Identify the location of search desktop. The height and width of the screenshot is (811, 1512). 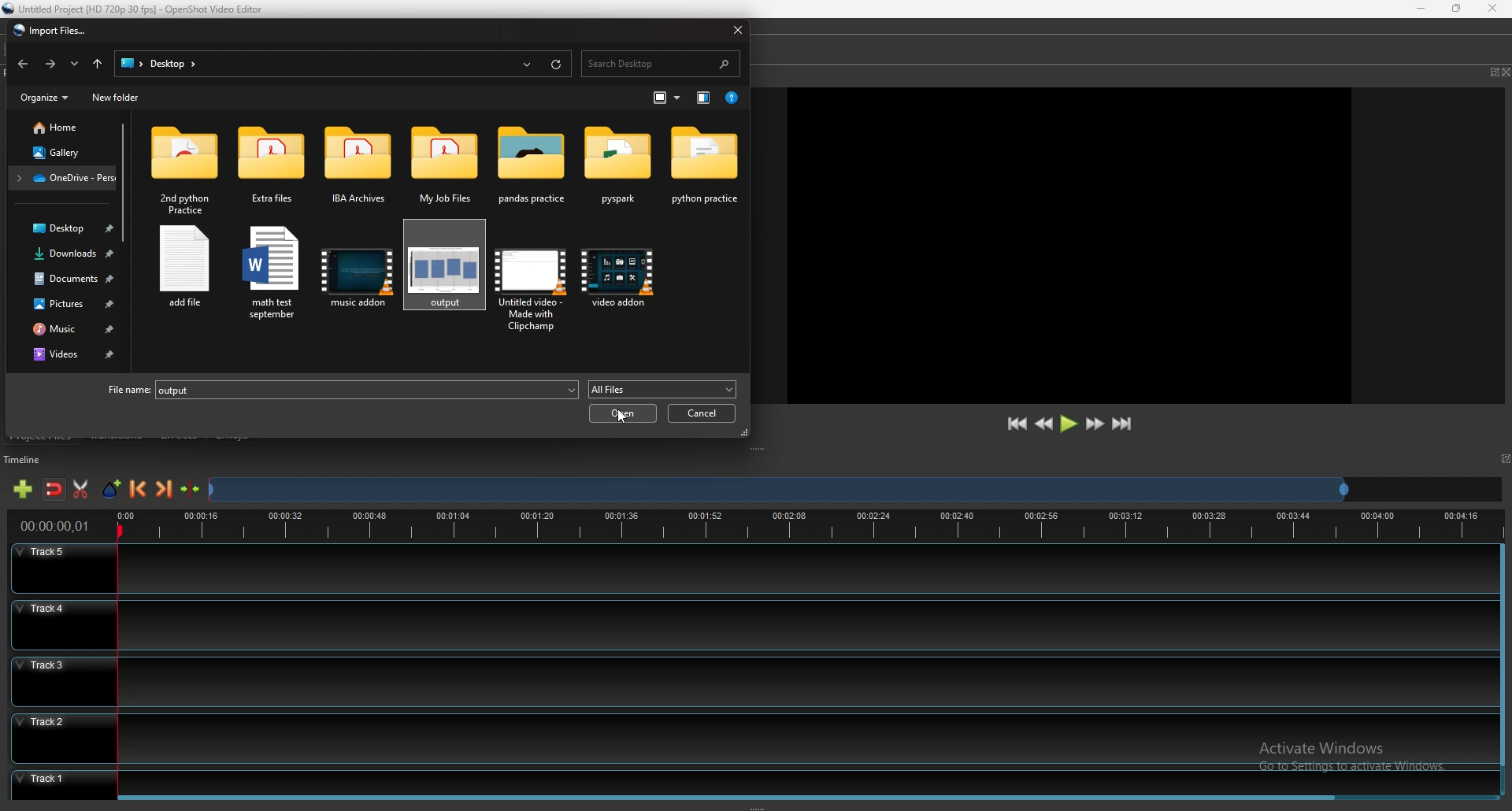
(661, 65).